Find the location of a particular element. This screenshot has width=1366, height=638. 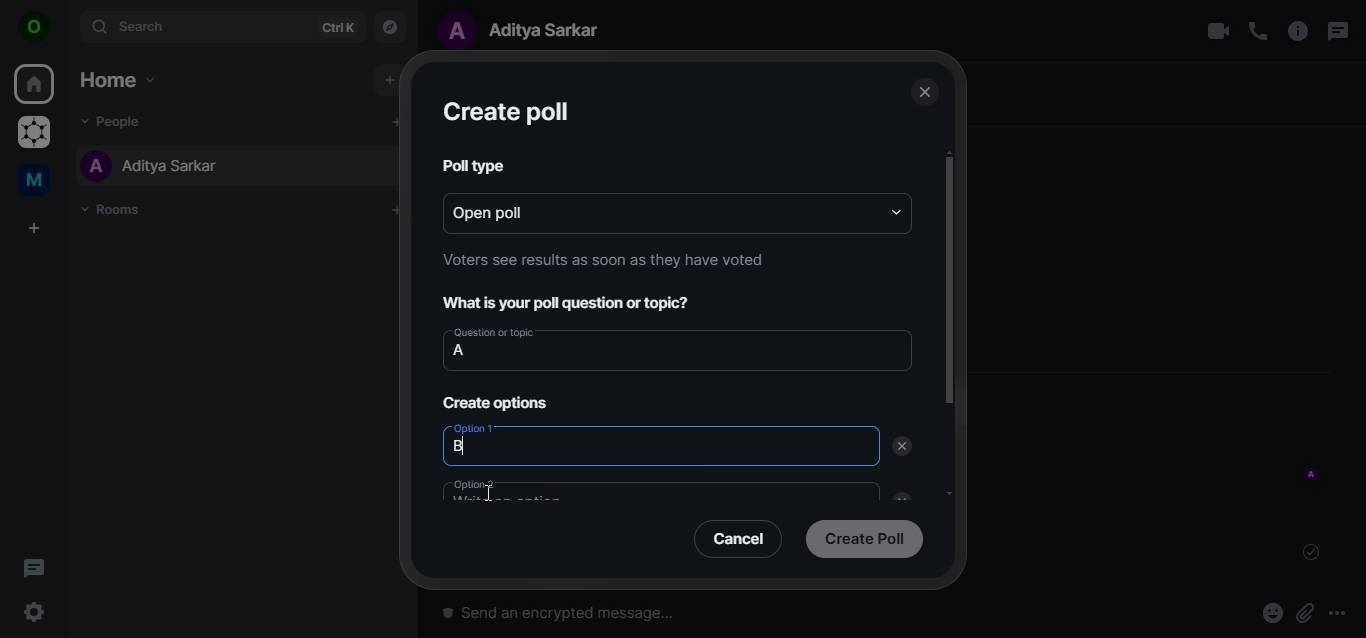

delete is located at coordinates (902, 447).